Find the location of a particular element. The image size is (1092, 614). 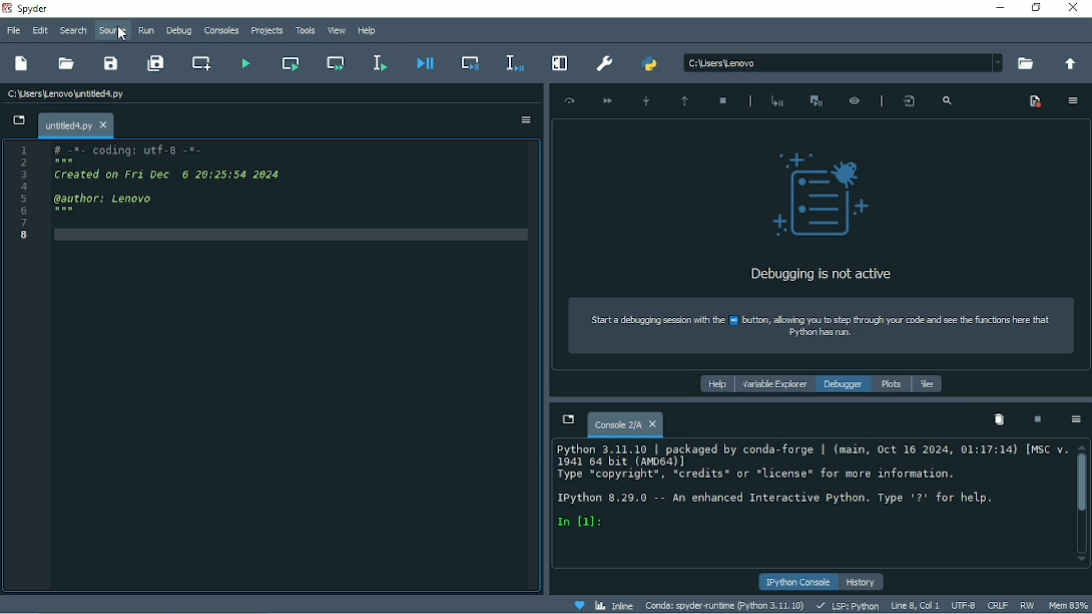

Help is located at coordinates (715, 385).